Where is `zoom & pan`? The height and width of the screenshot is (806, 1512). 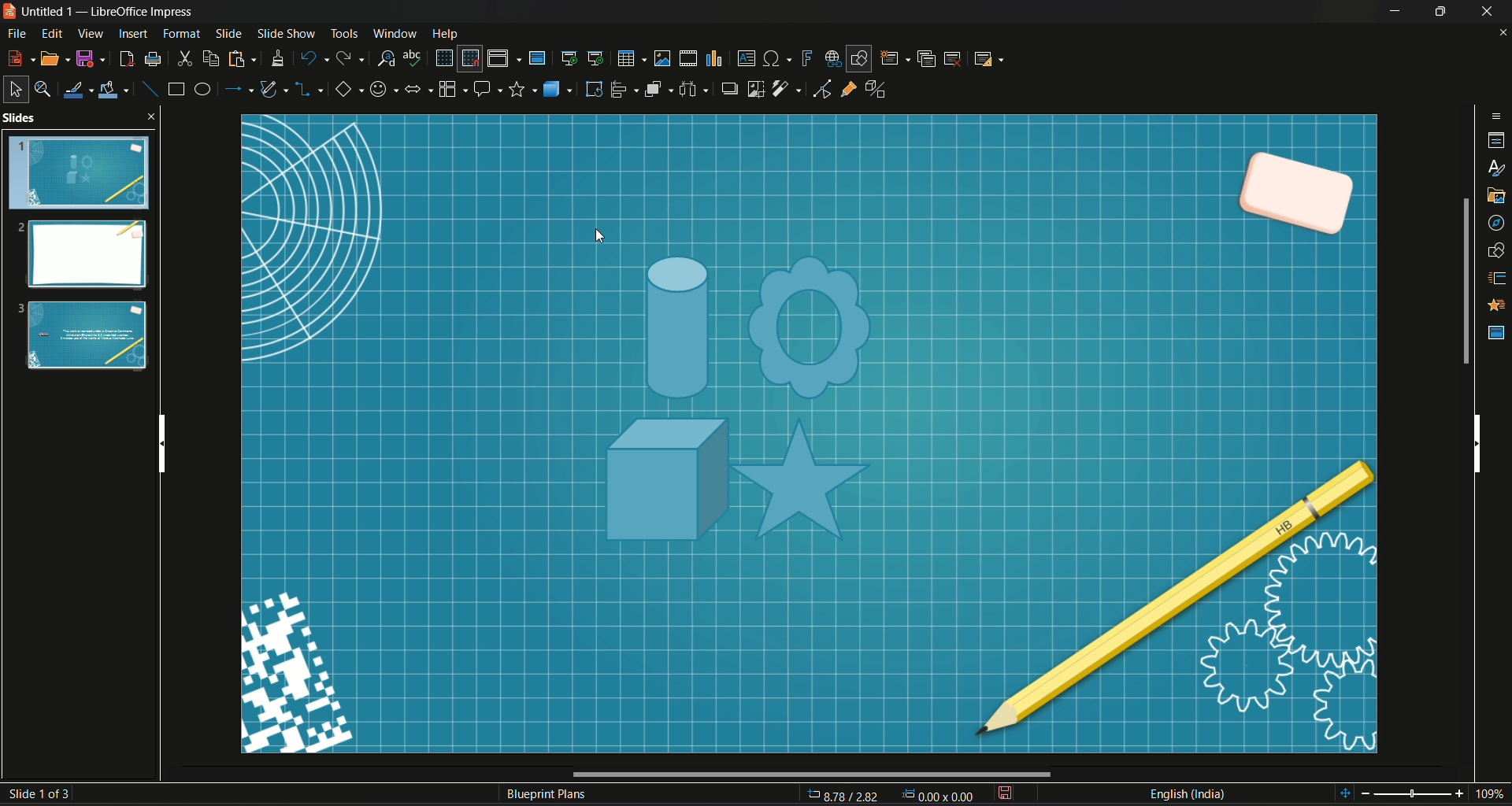
zoom & pan is located at coordinates (42, 87).